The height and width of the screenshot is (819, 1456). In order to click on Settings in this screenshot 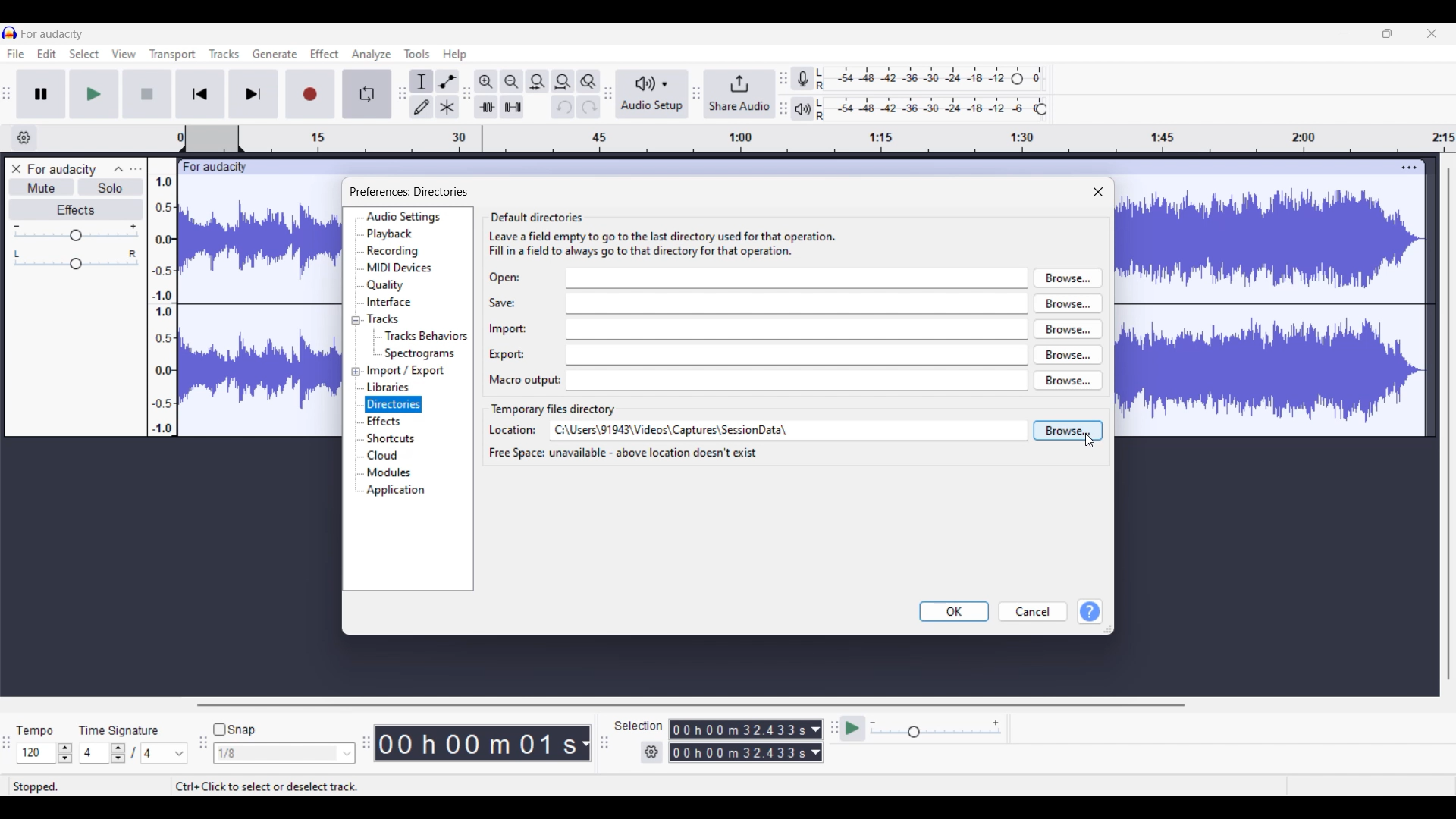, I will do `click(652, 752)`.